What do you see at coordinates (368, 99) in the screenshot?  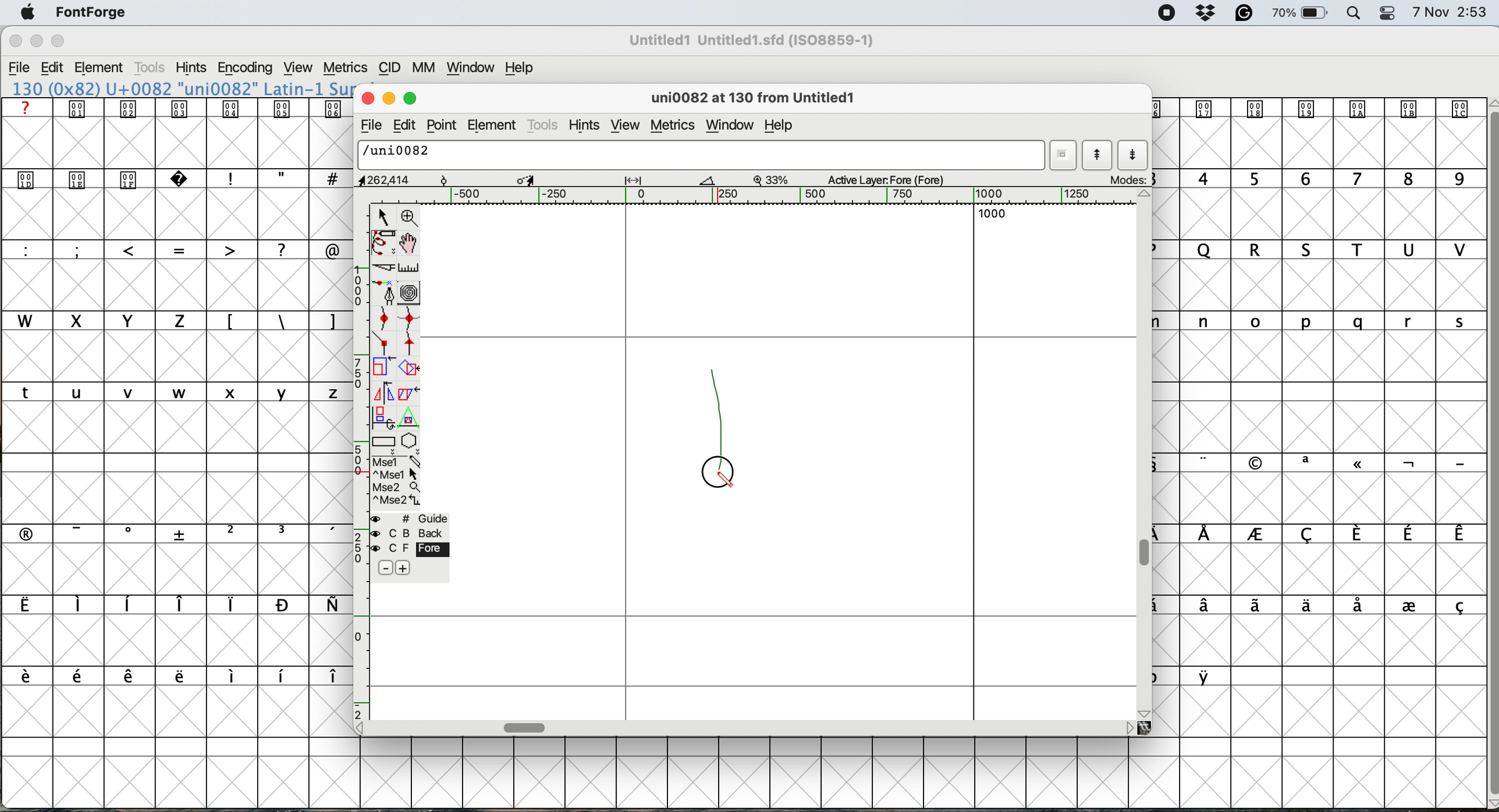 I see `close` at bounding box center [368, 99].